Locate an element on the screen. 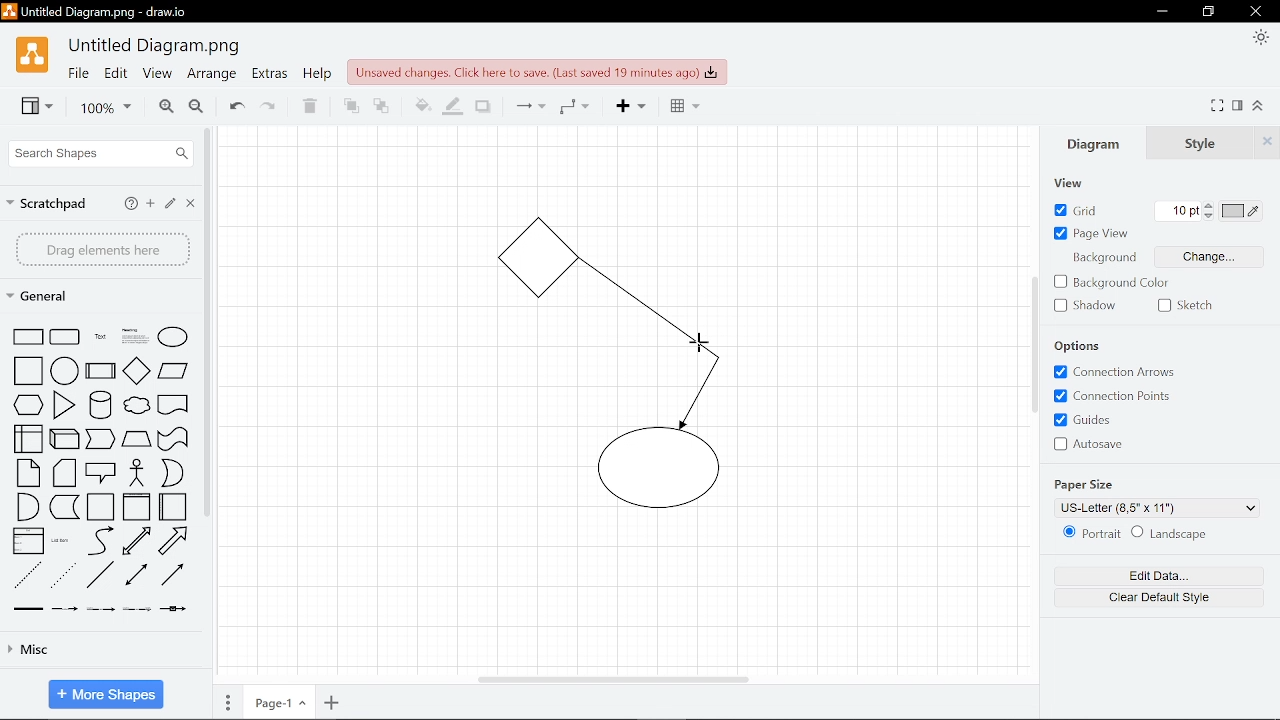 This screenshot has width=1280, height=720. Appearence is located at coordinates (1258, 39).